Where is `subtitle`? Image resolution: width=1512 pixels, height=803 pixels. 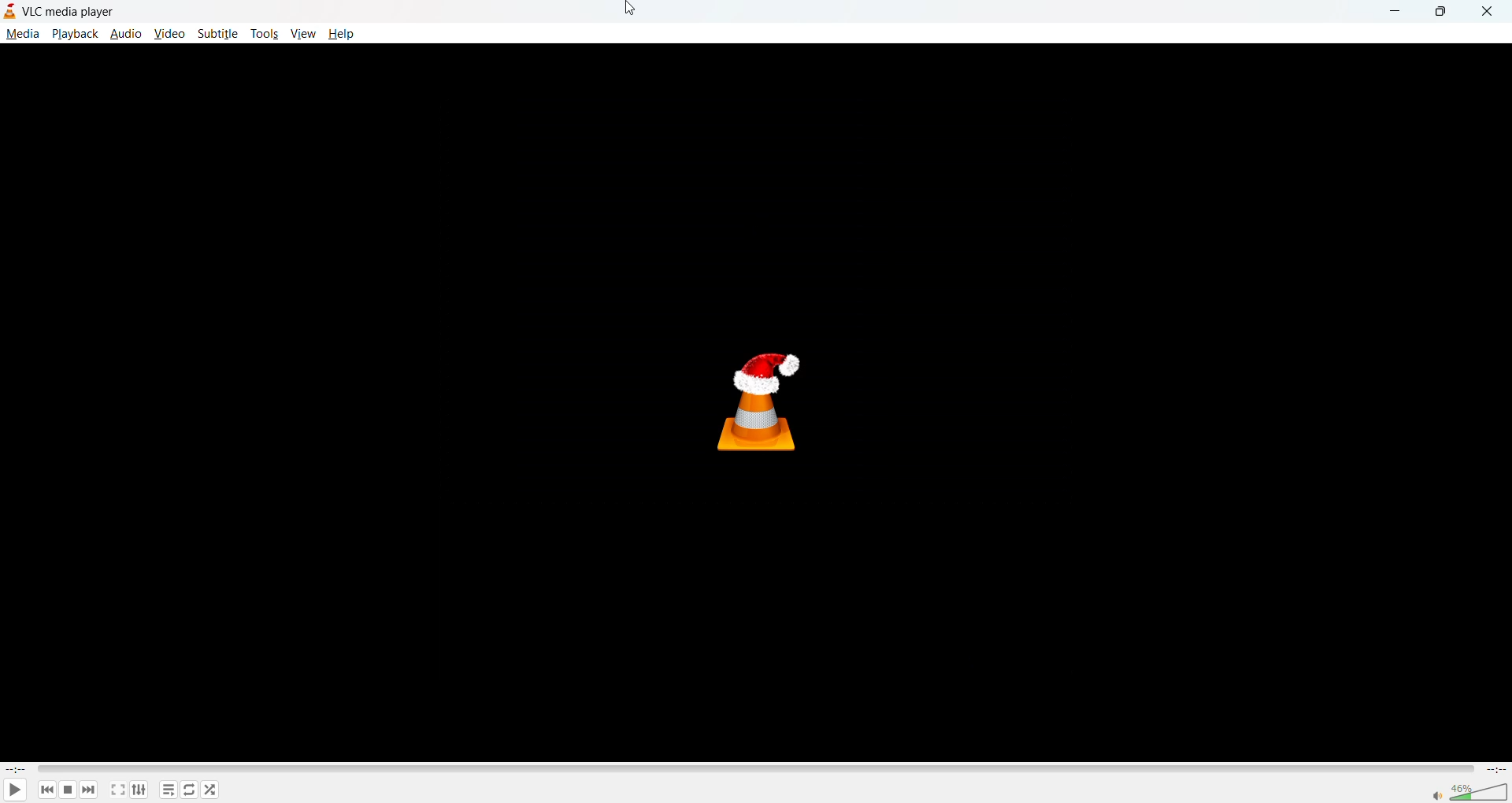
subtitle is located at coordinates (217, 34).